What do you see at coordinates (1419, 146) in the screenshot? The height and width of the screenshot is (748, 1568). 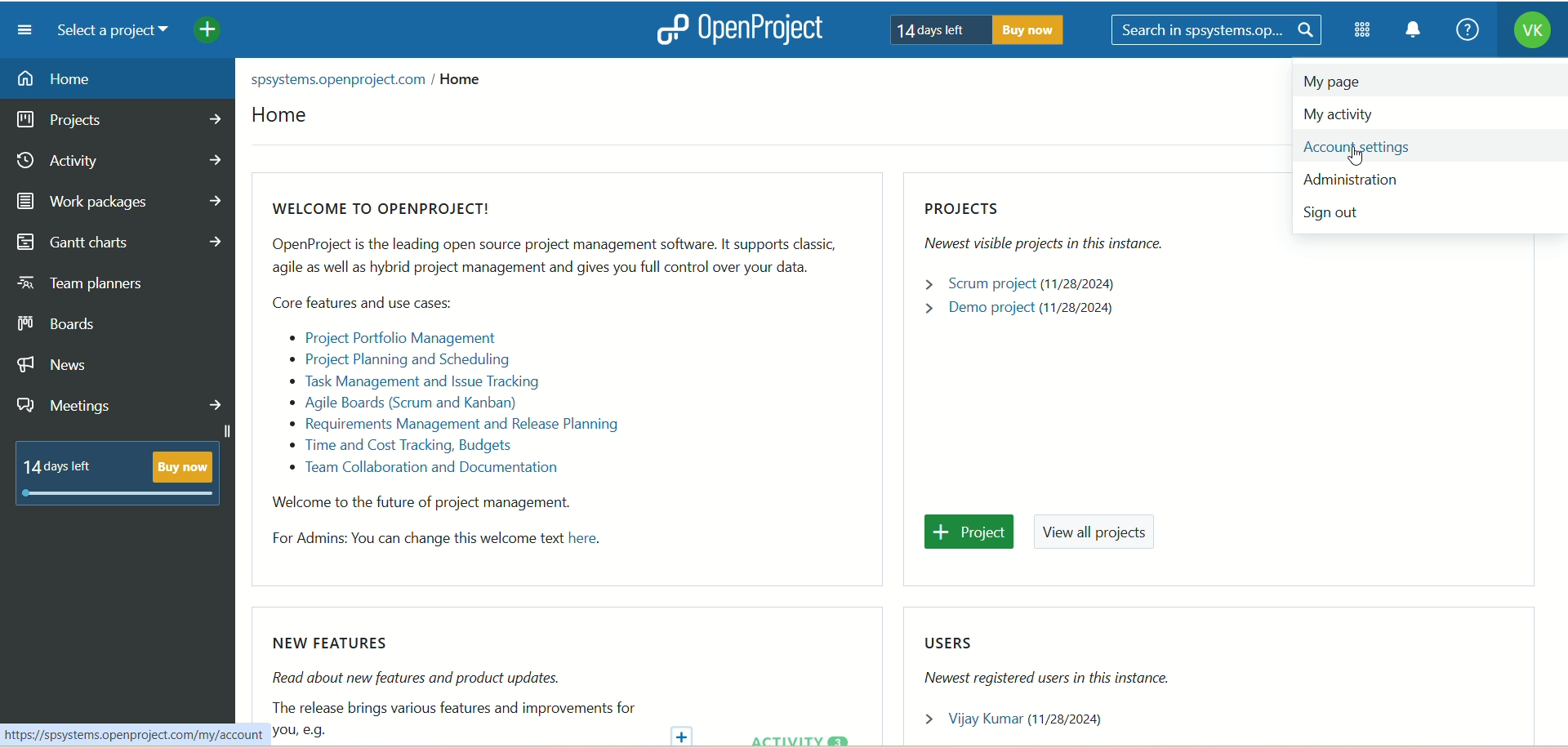 I see `account settings` at bounding box center [1419, 146].